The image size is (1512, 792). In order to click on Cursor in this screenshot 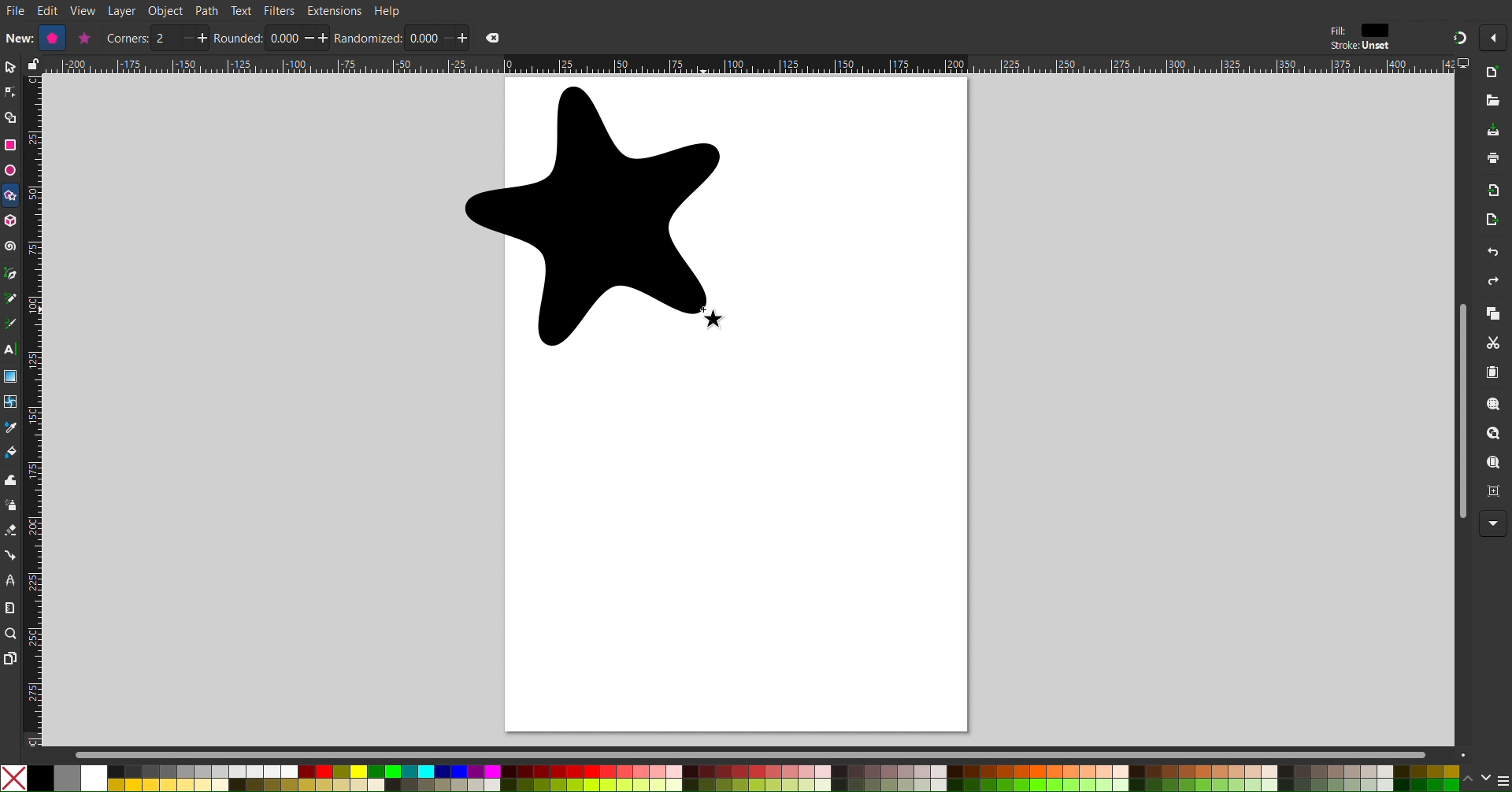, I will do `click(717, 320)`.